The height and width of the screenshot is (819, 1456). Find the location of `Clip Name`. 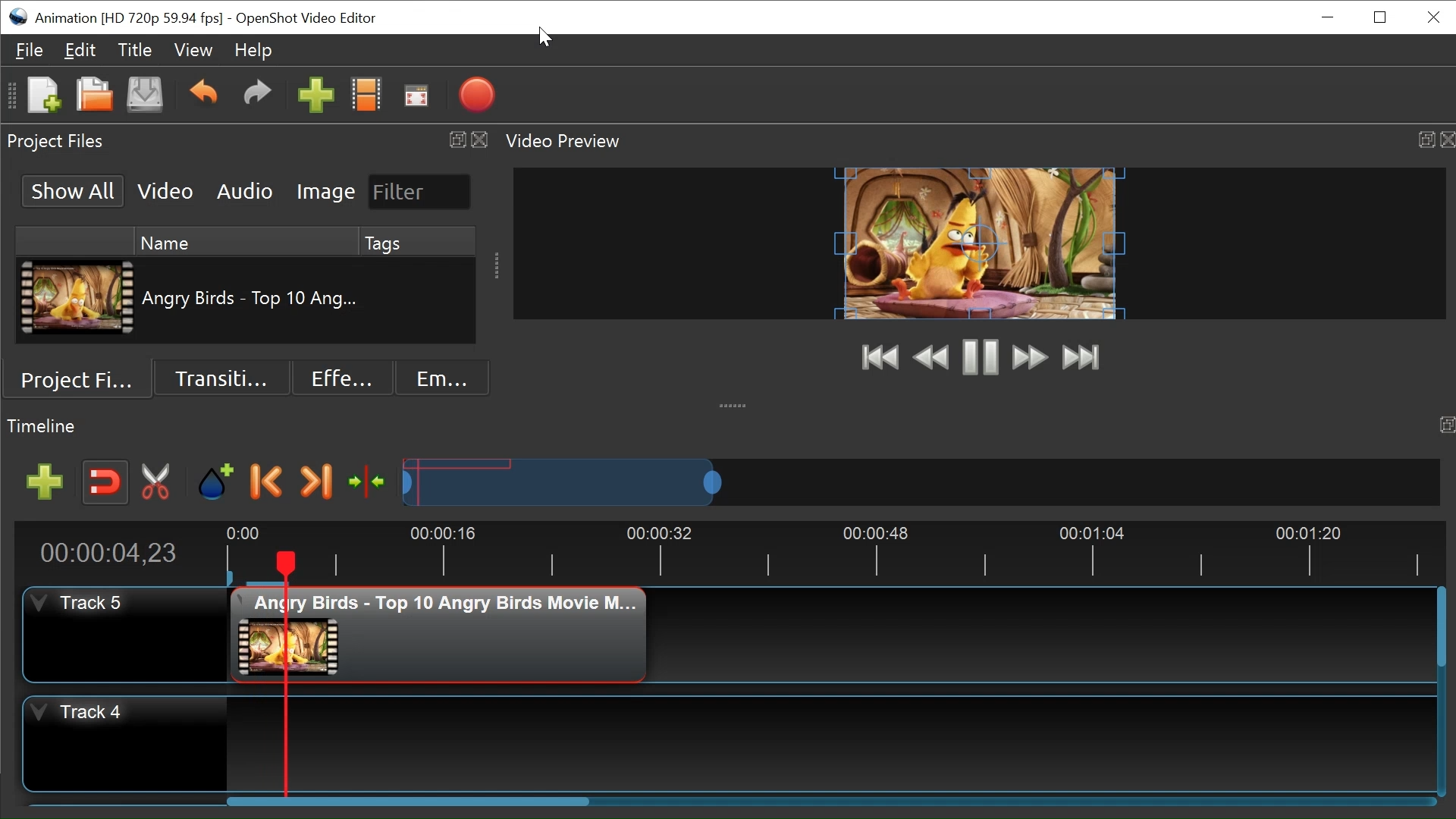

Clip Name is located at coordinates (253, 300).